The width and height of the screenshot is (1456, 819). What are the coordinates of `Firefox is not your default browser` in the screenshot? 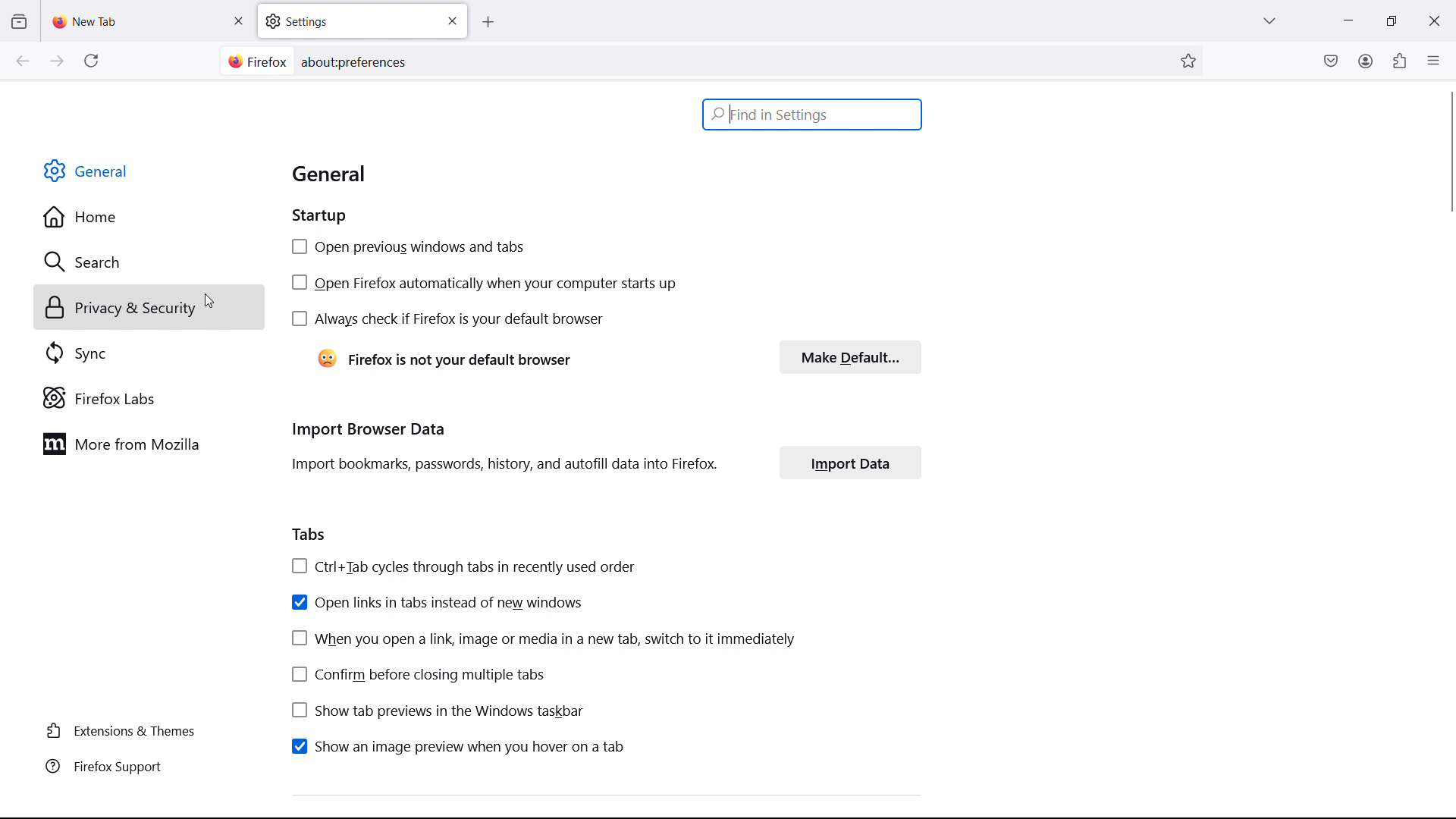 It's located at (450, 359).